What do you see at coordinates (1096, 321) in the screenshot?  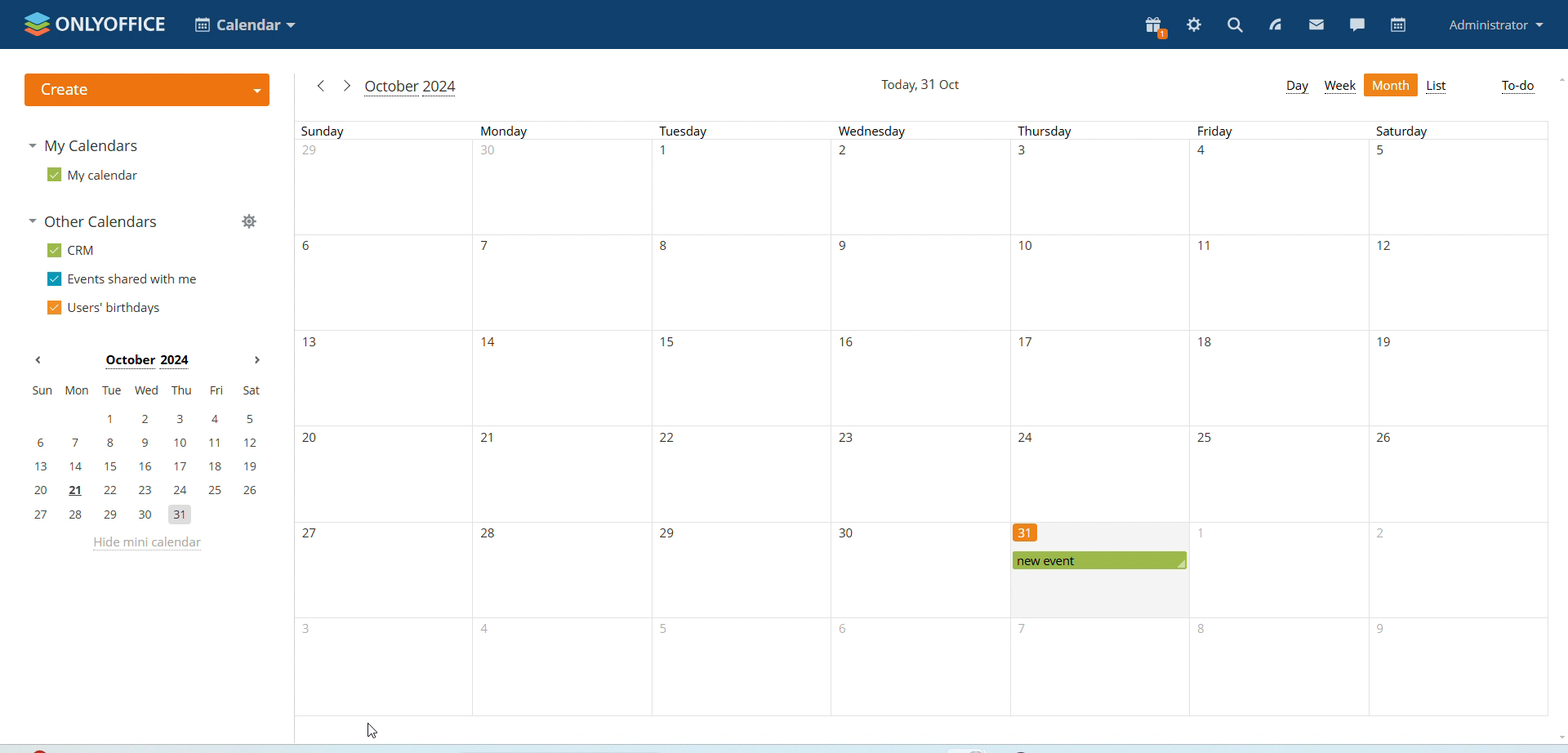 I see `Thursdays` at bounding box center [1096, 321].